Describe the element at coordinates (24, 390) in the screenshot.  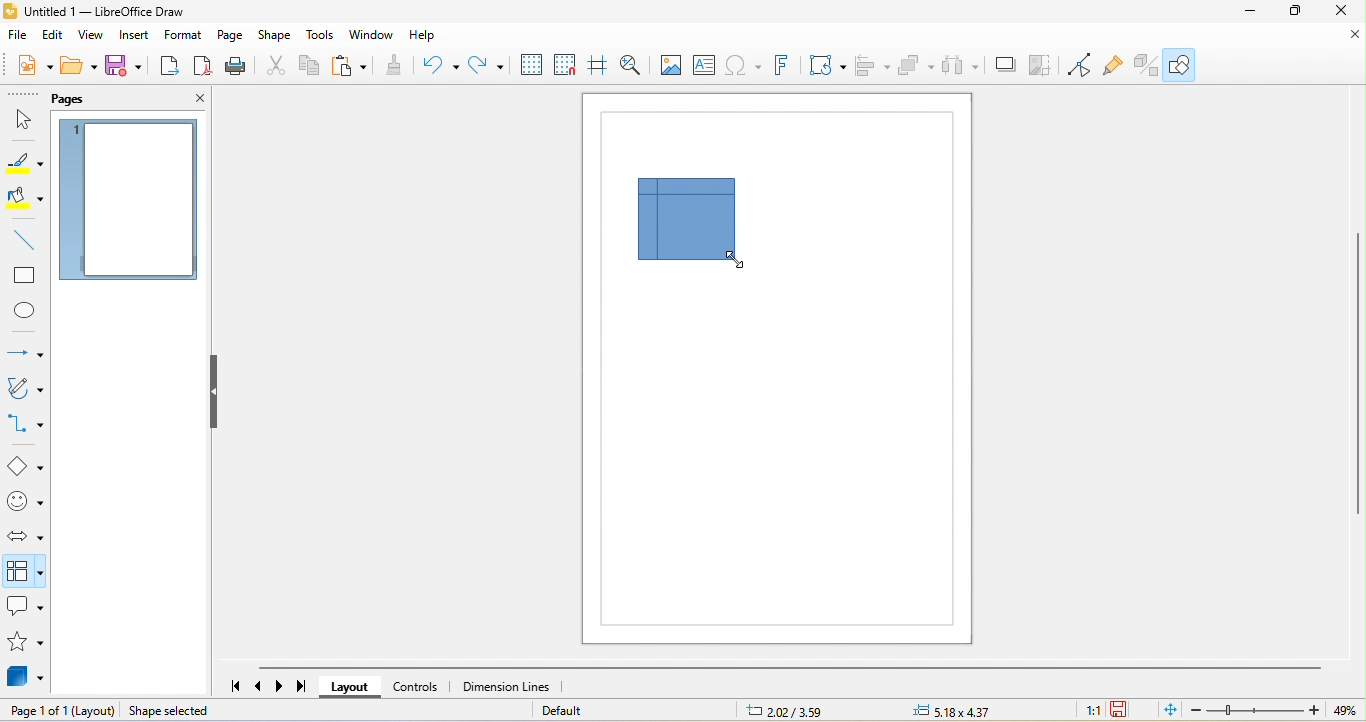
I see `curve and polygons` at that location.